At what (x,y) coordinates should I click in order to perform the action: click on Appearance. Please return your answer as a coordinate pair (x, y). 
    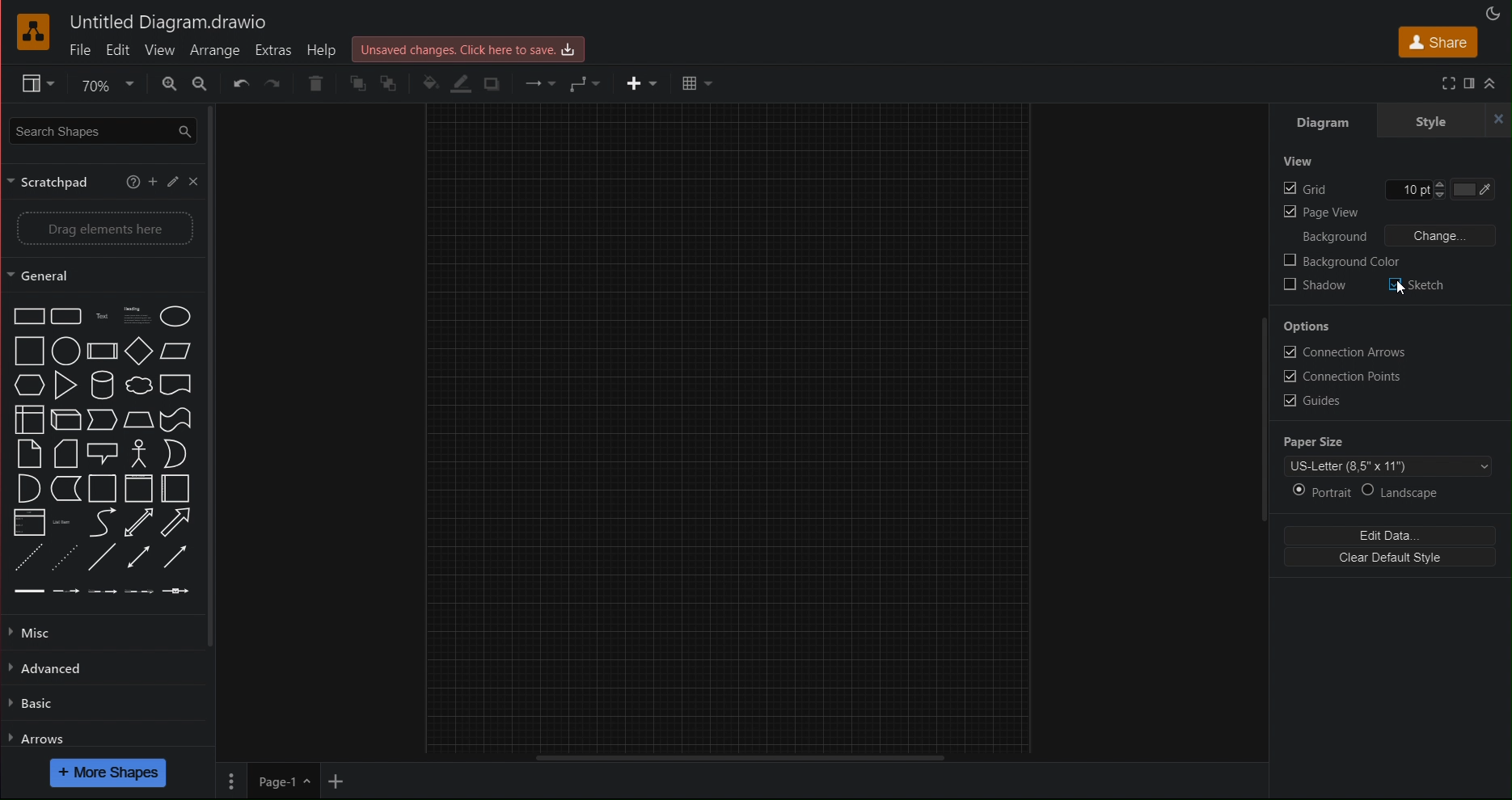
    Looking at the image, I should click on (1492, 12).